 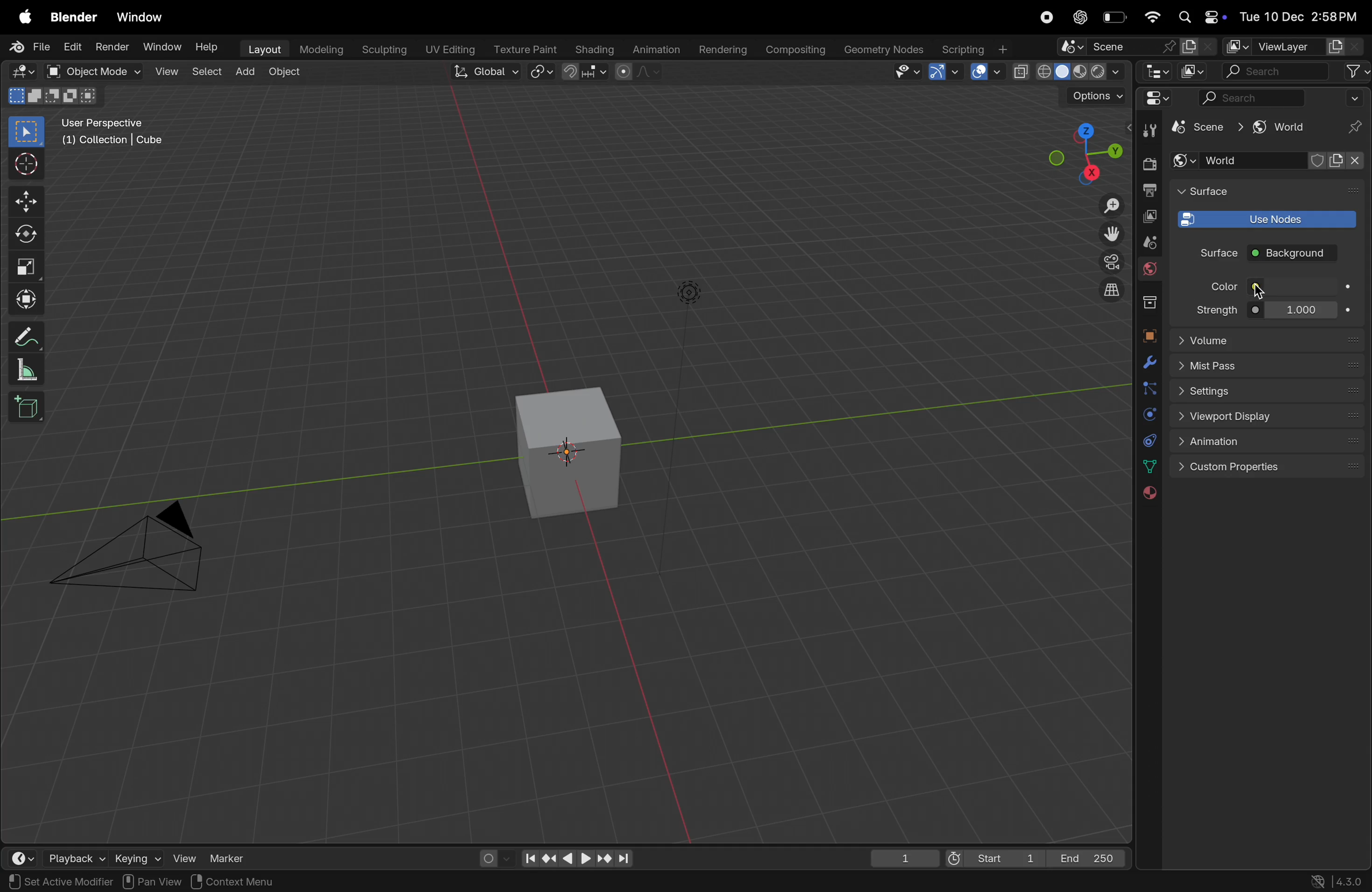 What do you see at coordinates (1349, 167) in the screenshot?
I see `close` at bounding box center [1349, 167].